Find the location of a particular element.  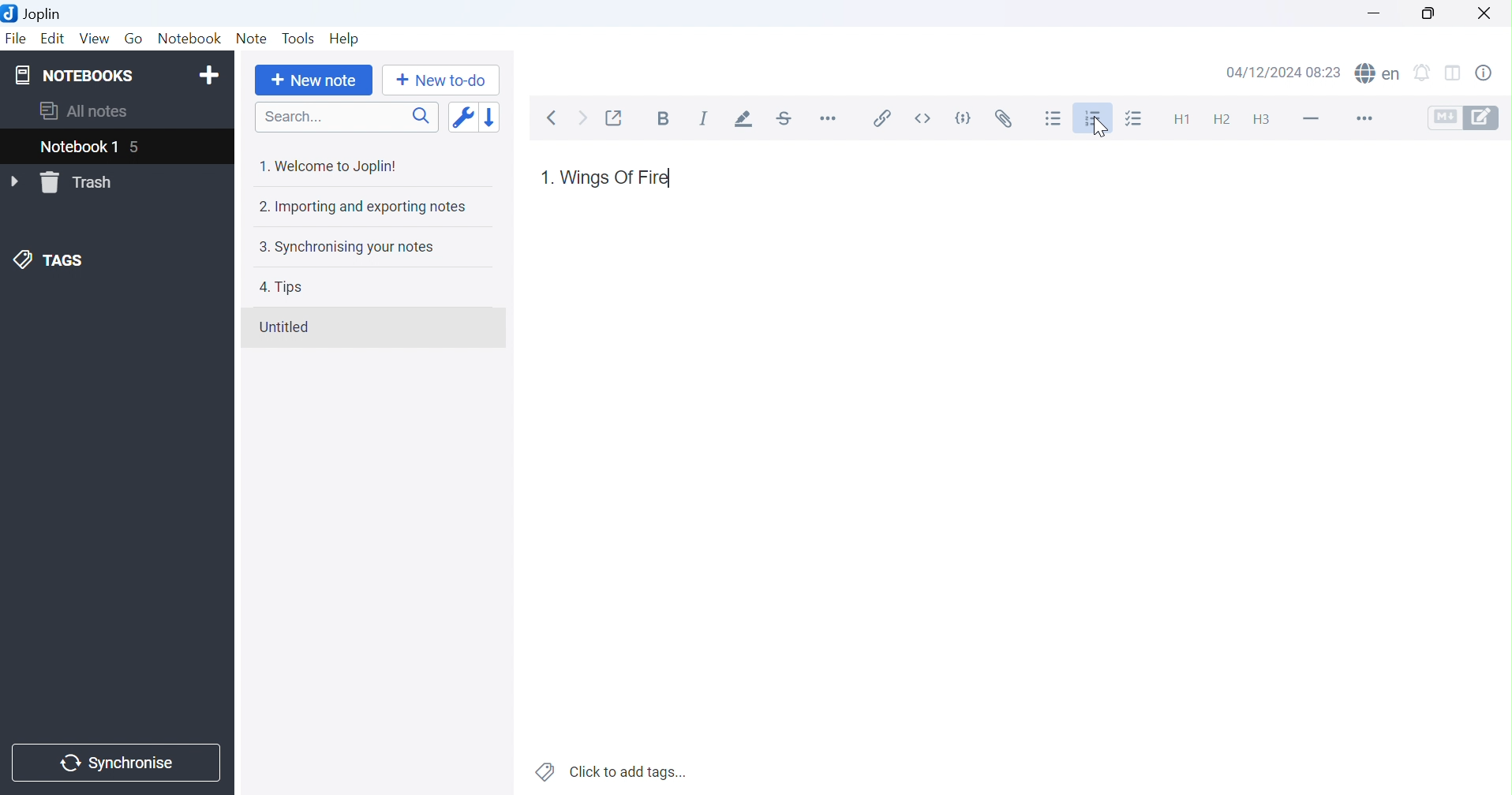

Note is located at coordinates (254, 36).